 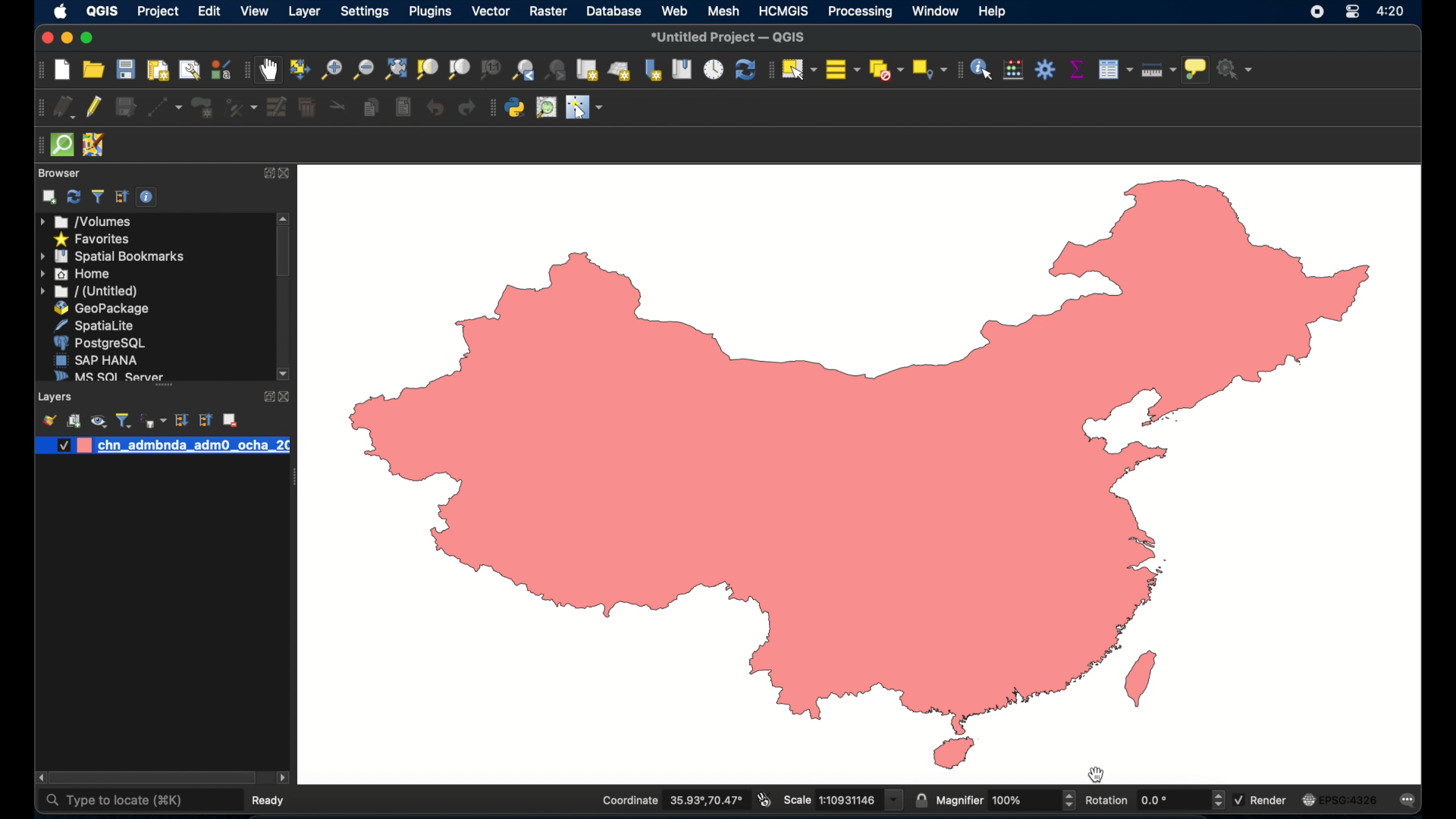 I want to click on 4:19, so click(x=1392, y=11).